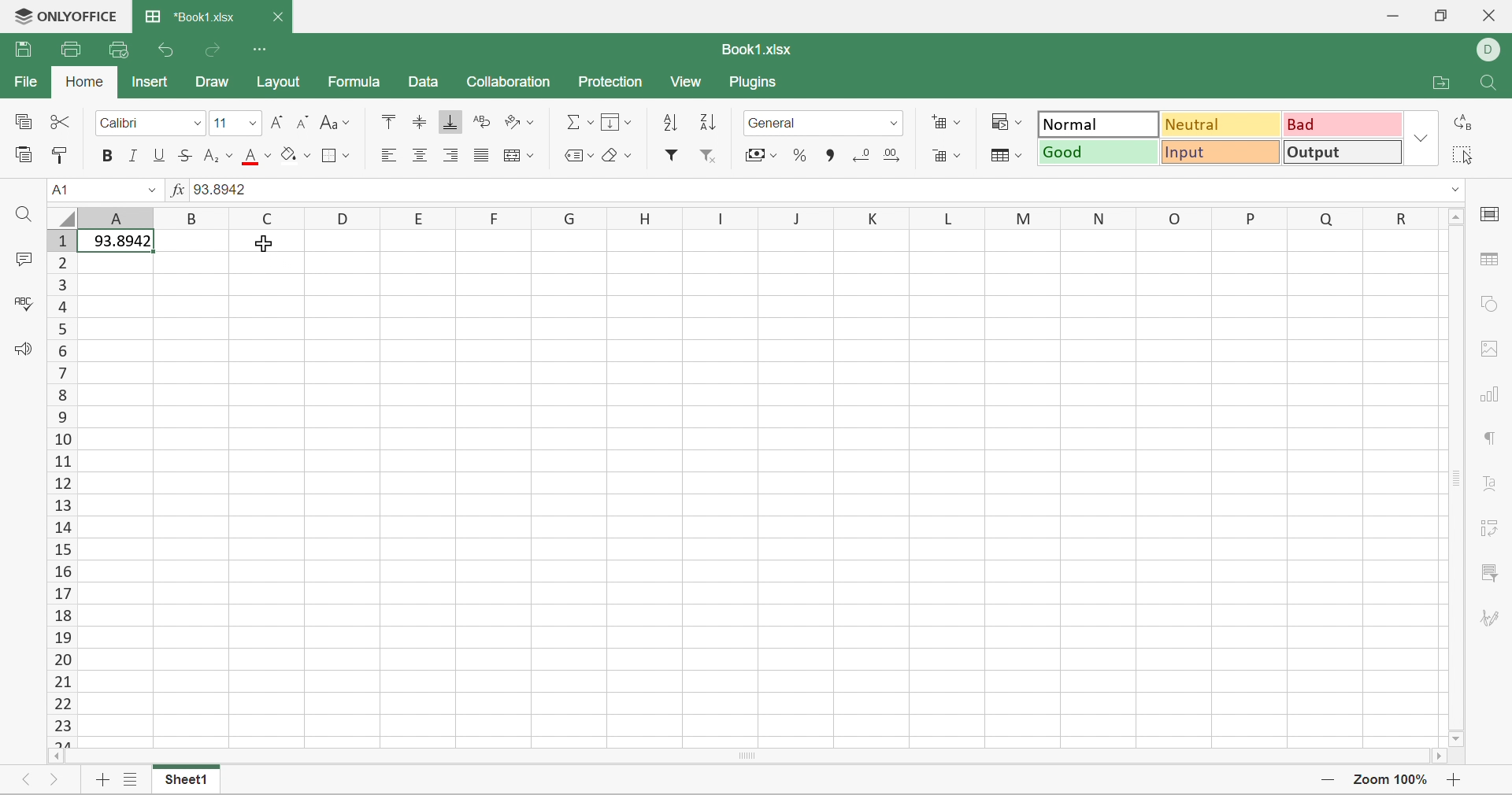 The width and height of the screenshot is (1512, 795). Describe the element at coordinates (1492, 260) in the screenshot. I see `table settings` at that location.